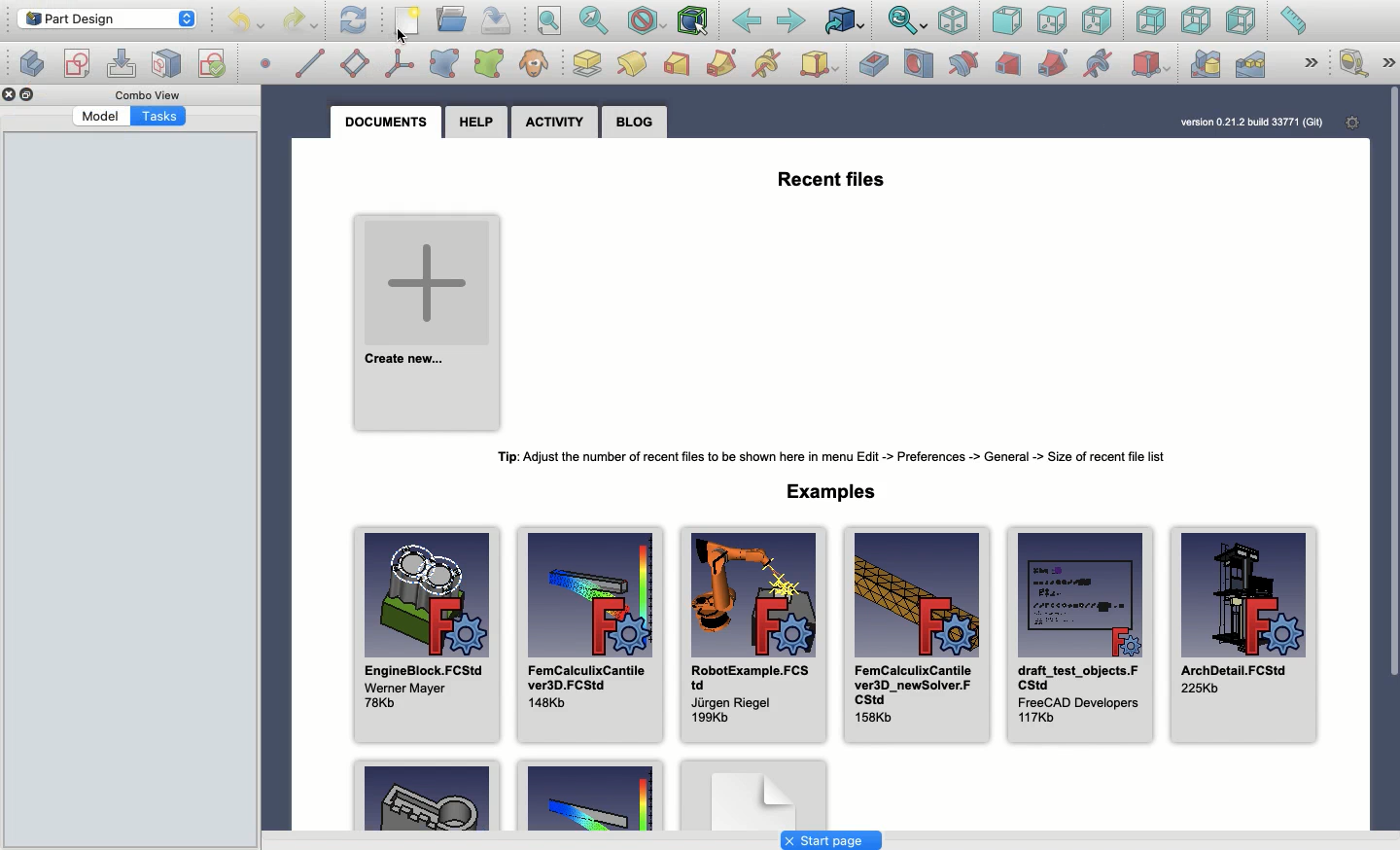 This screenshot has height=850, width=1400. I want to click on Part design - Workbench, so click(106, 18).